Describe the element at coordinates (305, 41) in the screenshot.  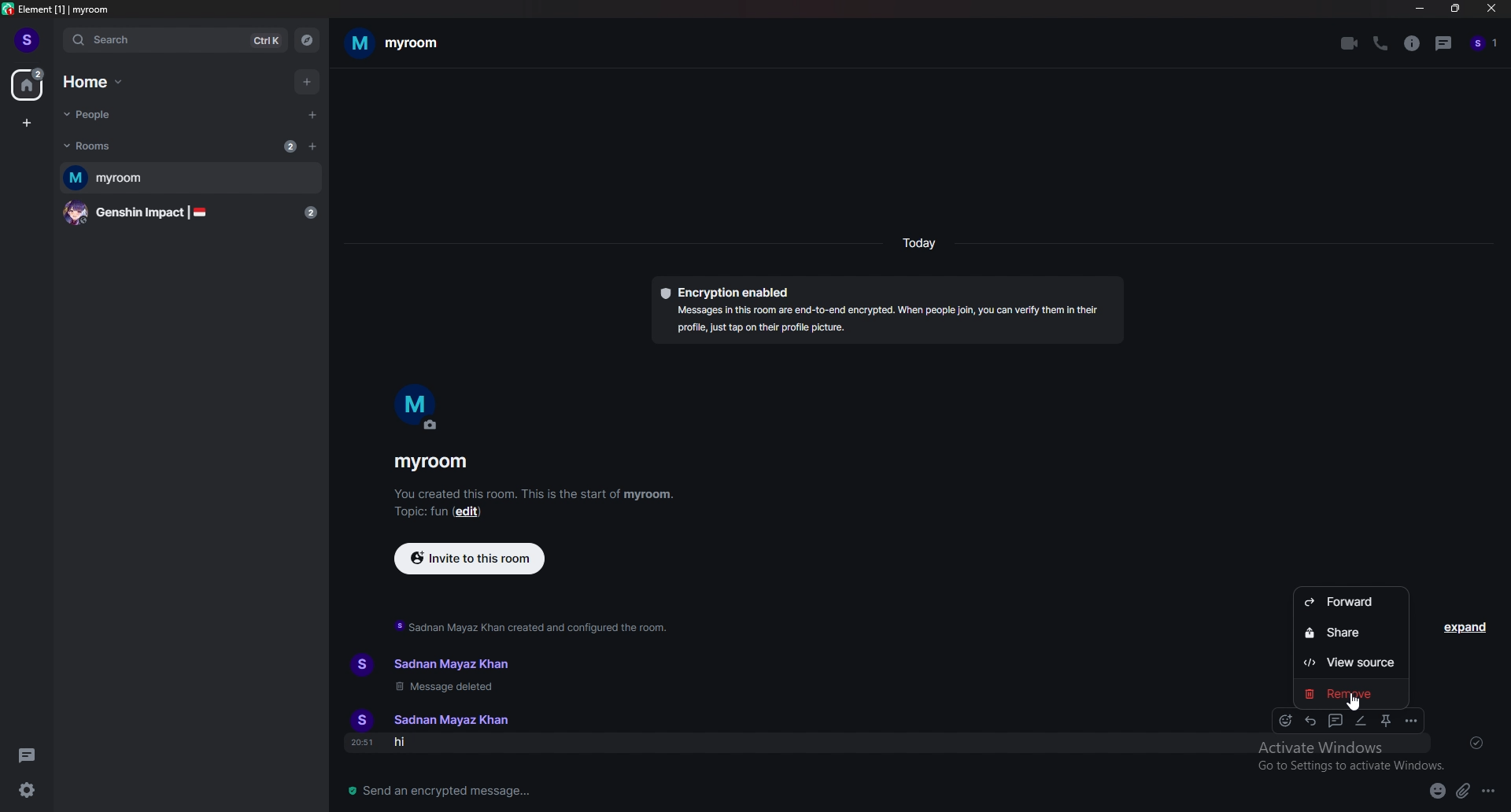
I see `explore rooms` at that location.